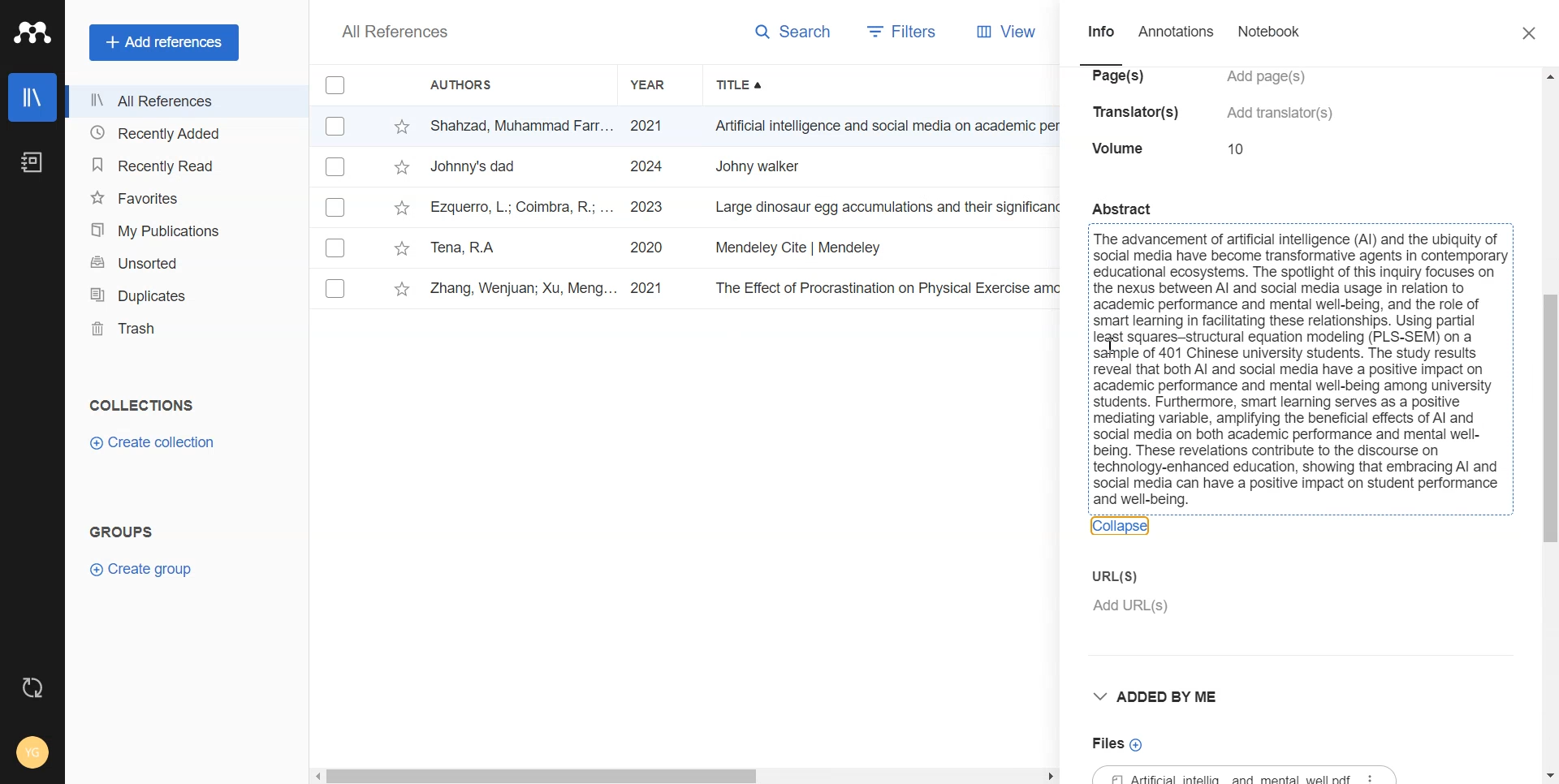 This screenshot has width=1559, height=784. I want to click on Checkmarks, so click(336, 169).